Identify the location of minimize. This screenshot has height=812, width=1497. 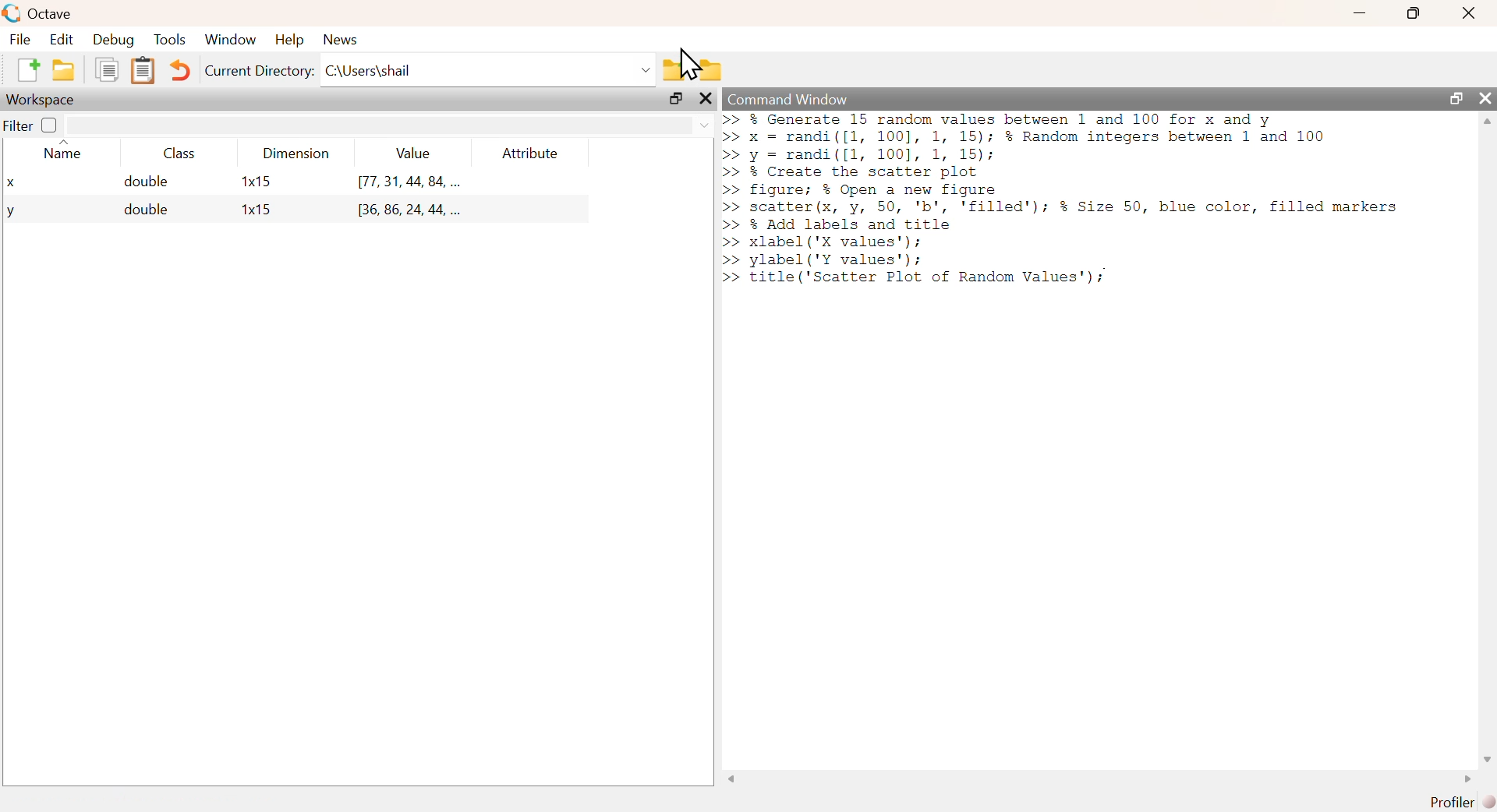
(1362, 13).